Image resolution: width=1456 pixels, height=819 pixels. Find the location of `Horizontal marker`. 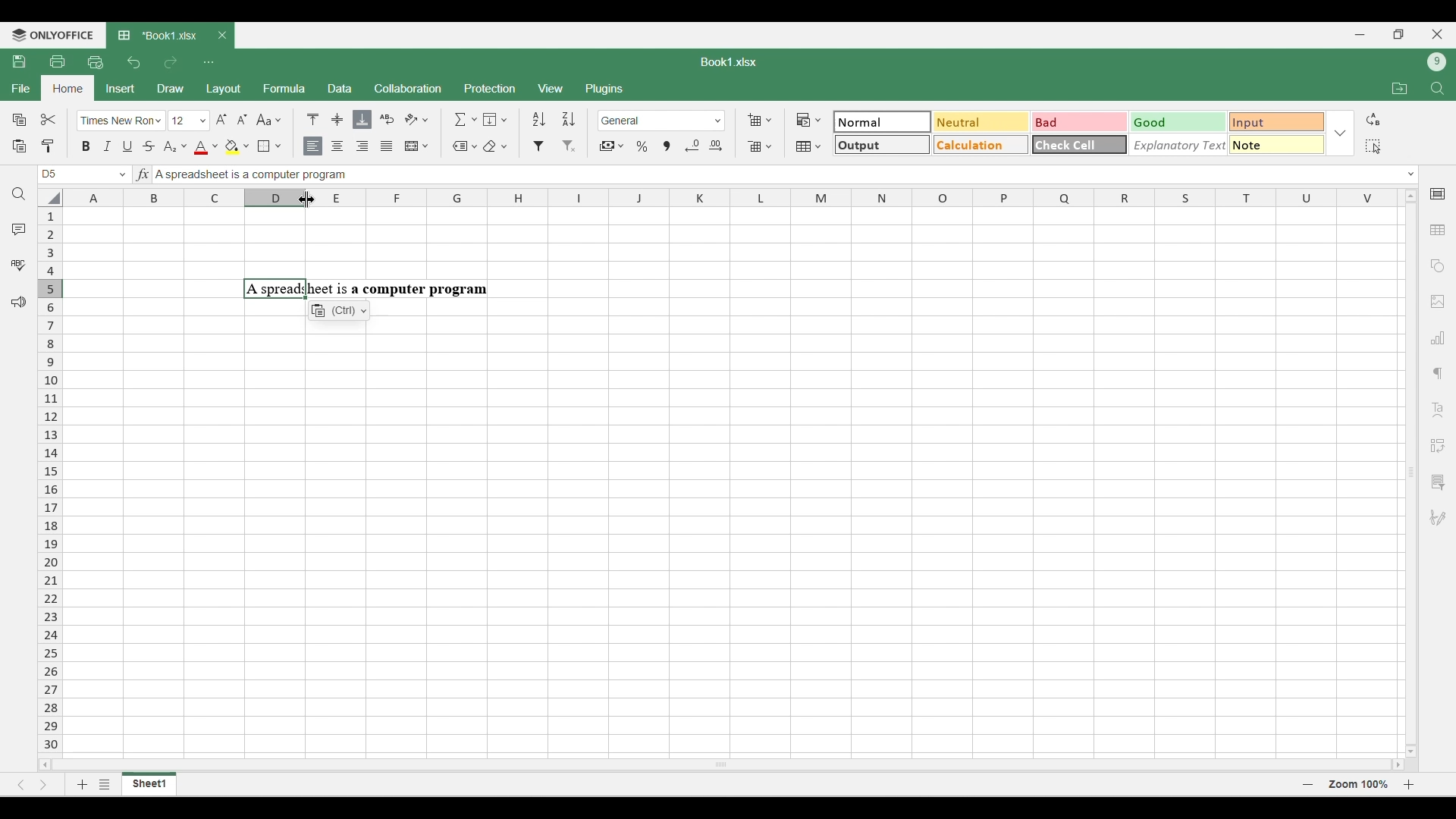

Horizontal marker is located at coordinates (733, 199).